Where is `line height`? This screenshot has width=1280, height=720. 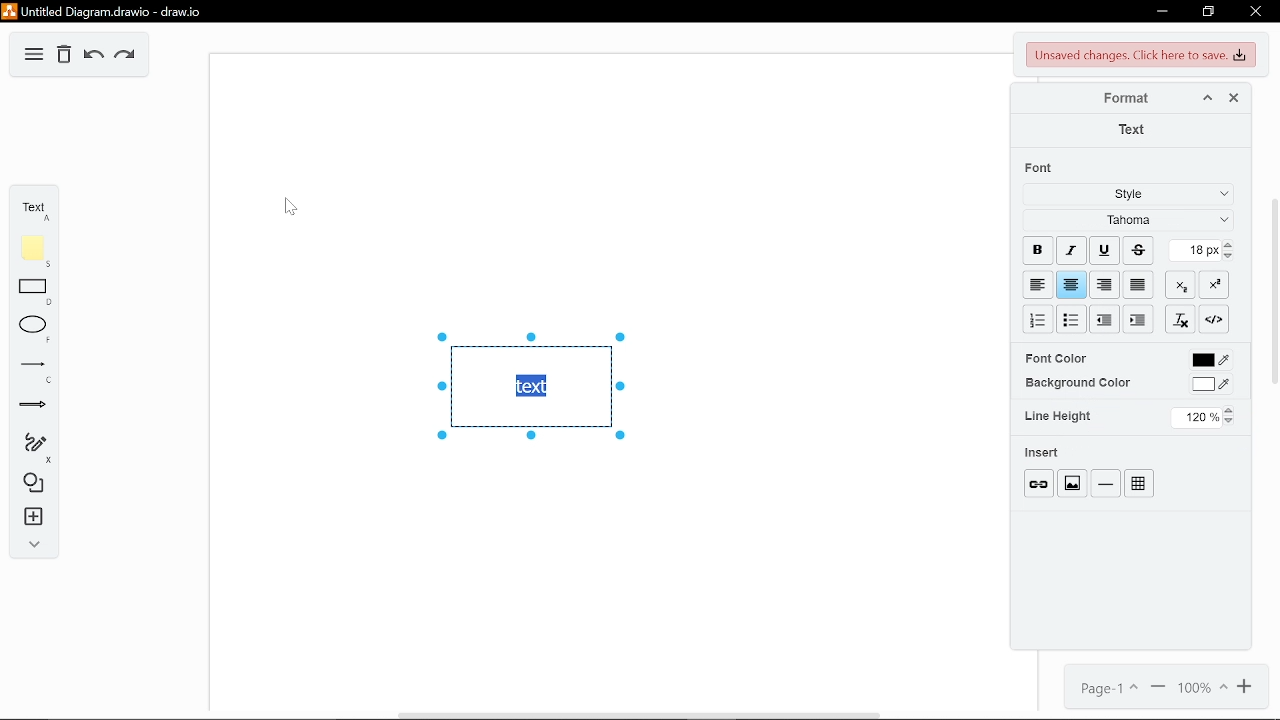
line height is located at coordinates (1058, 416).